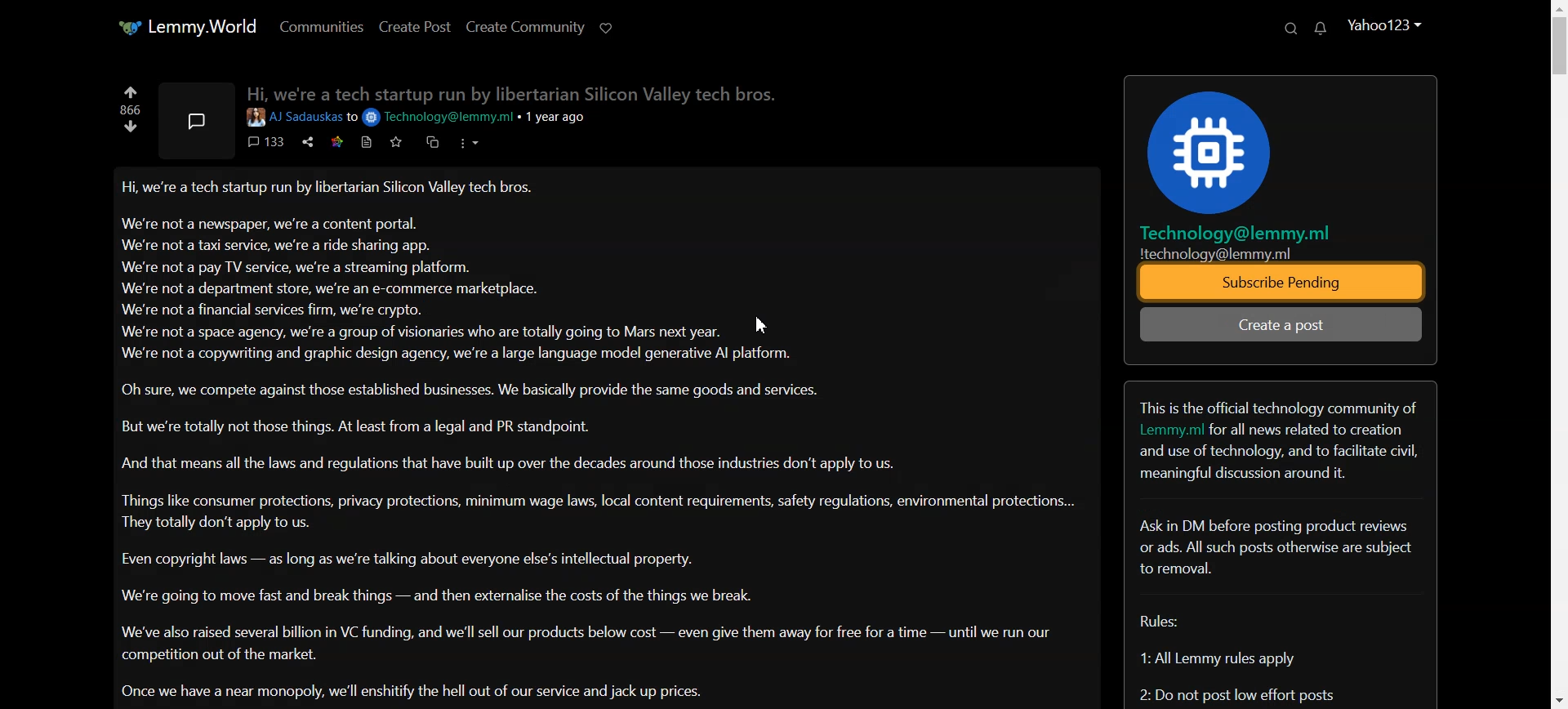 This screenshot has width=1568, height=709. I want to click on Message symbol, so click(194, 117).